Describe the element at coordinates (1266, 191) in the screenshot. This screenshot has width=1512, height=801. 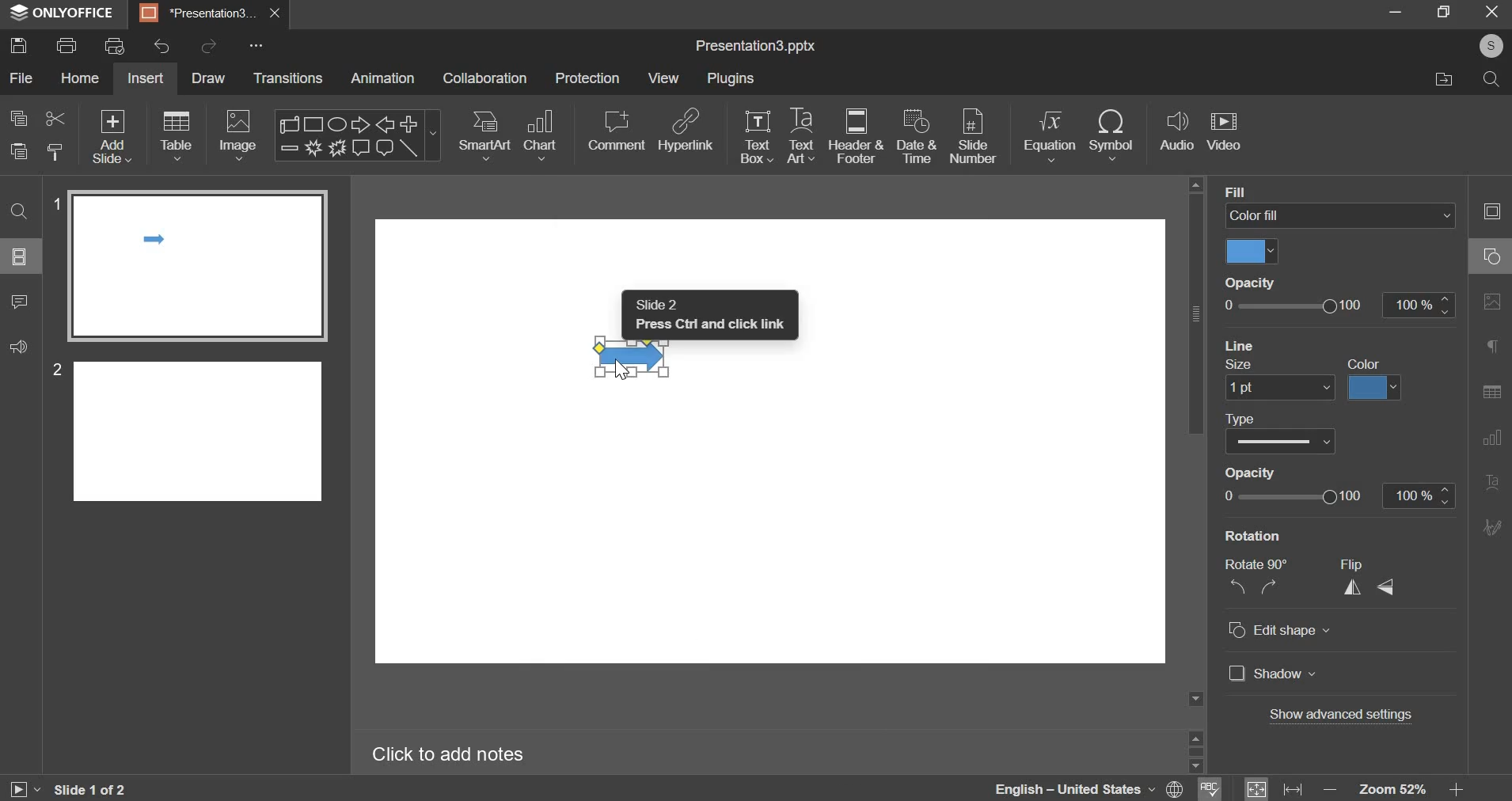
I see `background` at that location.